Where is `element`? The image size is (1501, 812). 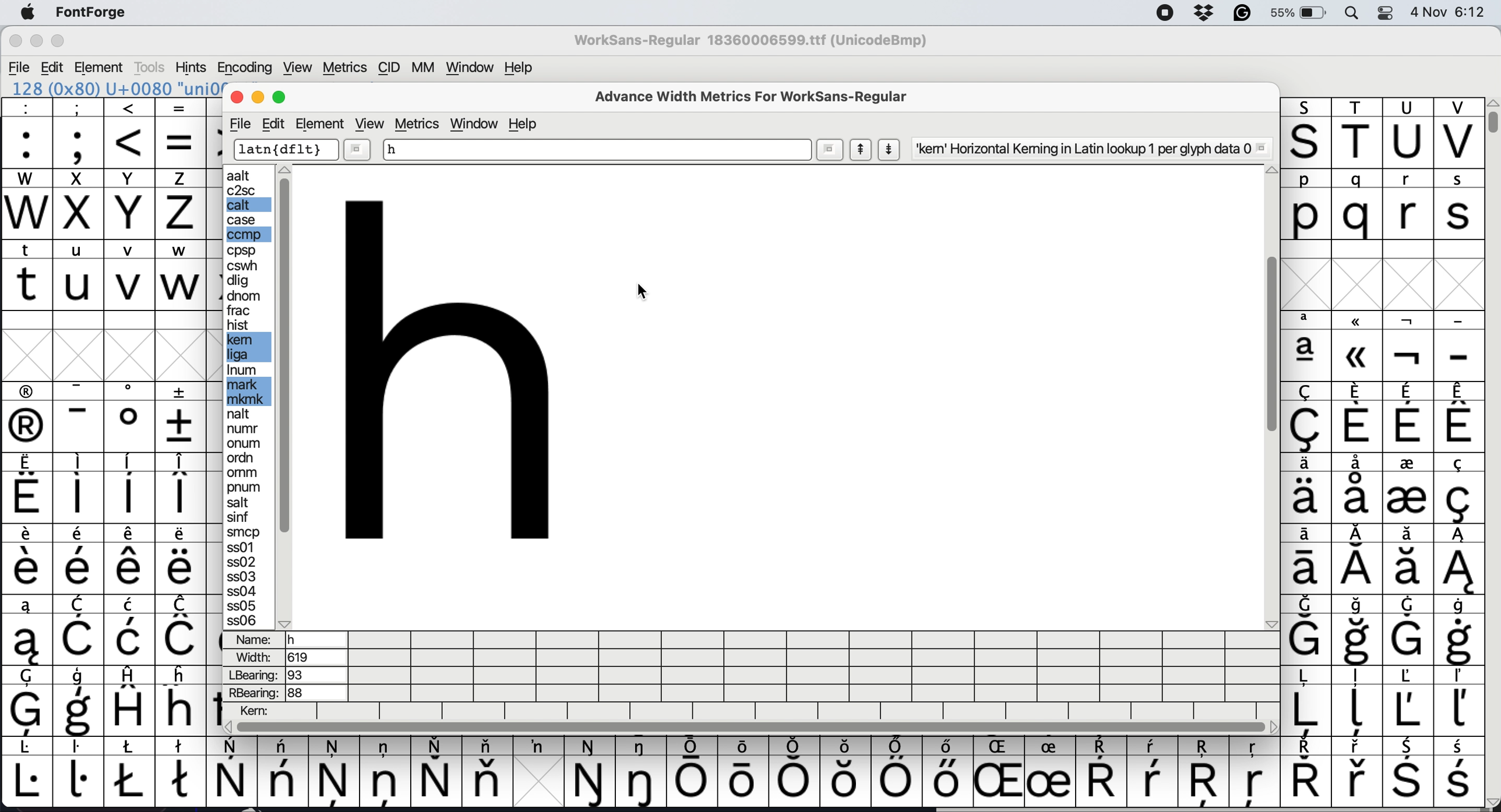
element is located at coordinates (321, 123).